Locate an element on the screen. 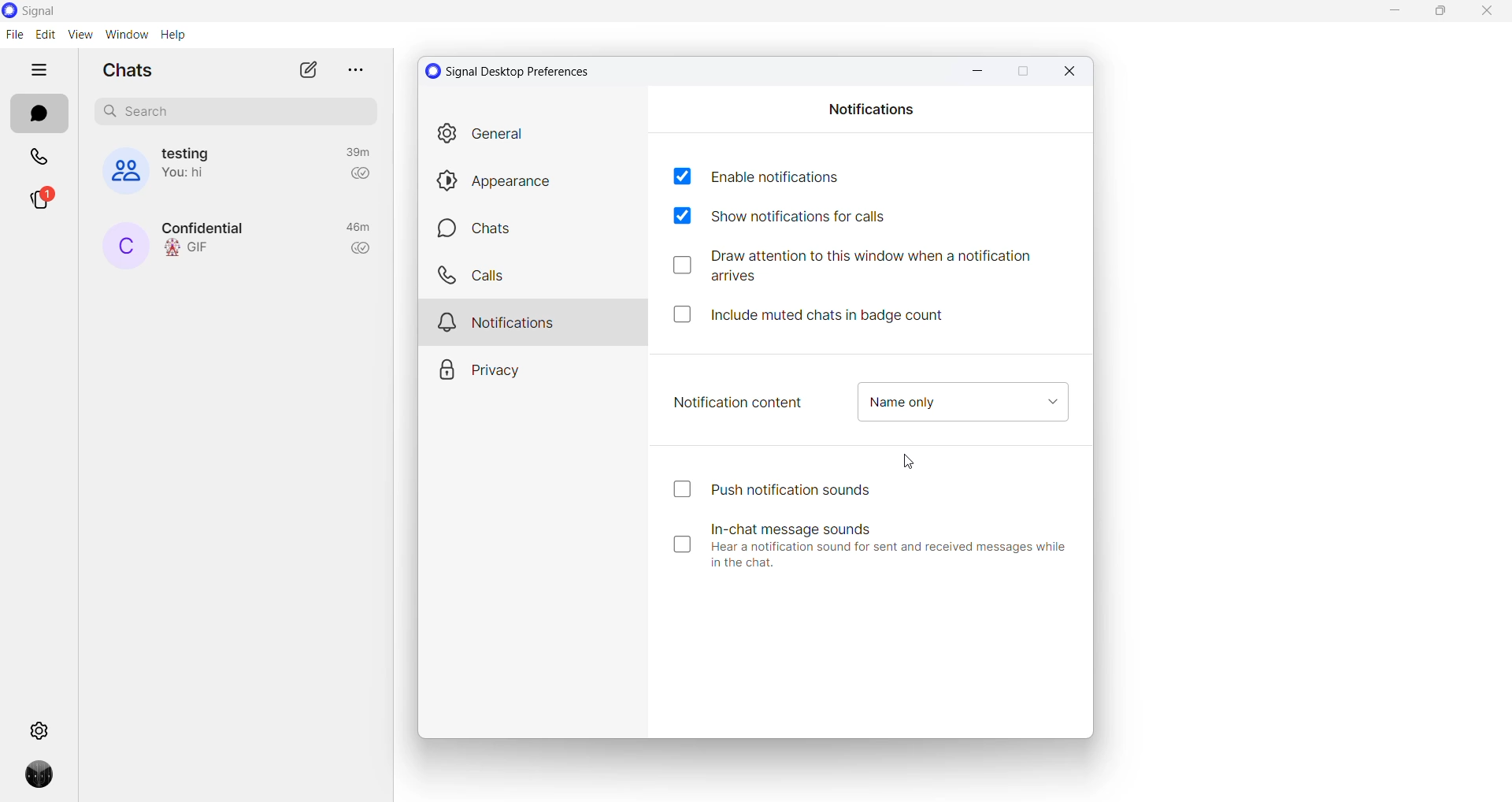 The height and width of the screenshot is (802, 1512). Minimize is located at coordinates (973, 69).